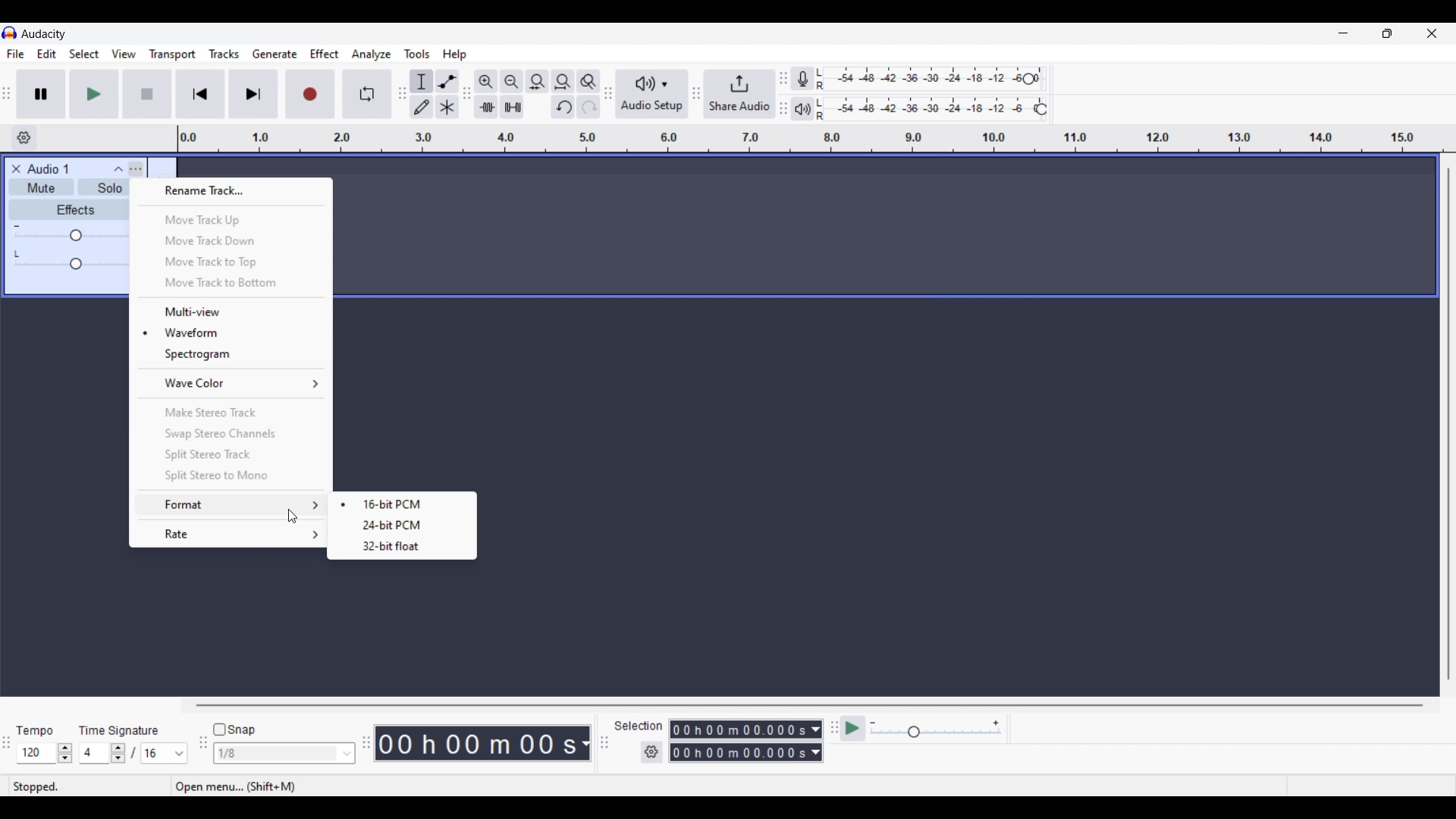 The image size is (1456, 819). I want to click on Make stereo track, so click(232, 412).